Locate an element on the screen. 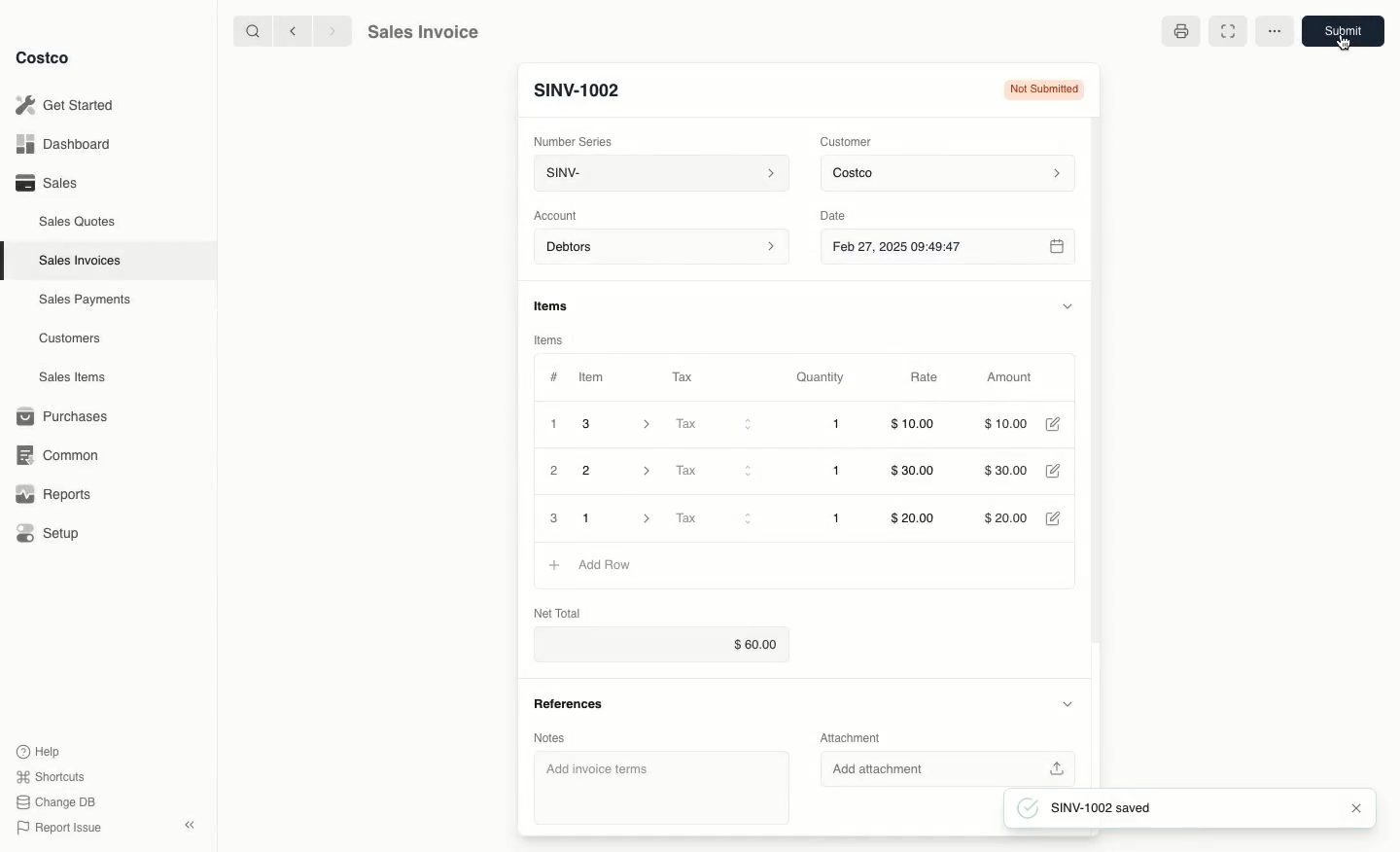  Notes is located at coordinates (557, 739).